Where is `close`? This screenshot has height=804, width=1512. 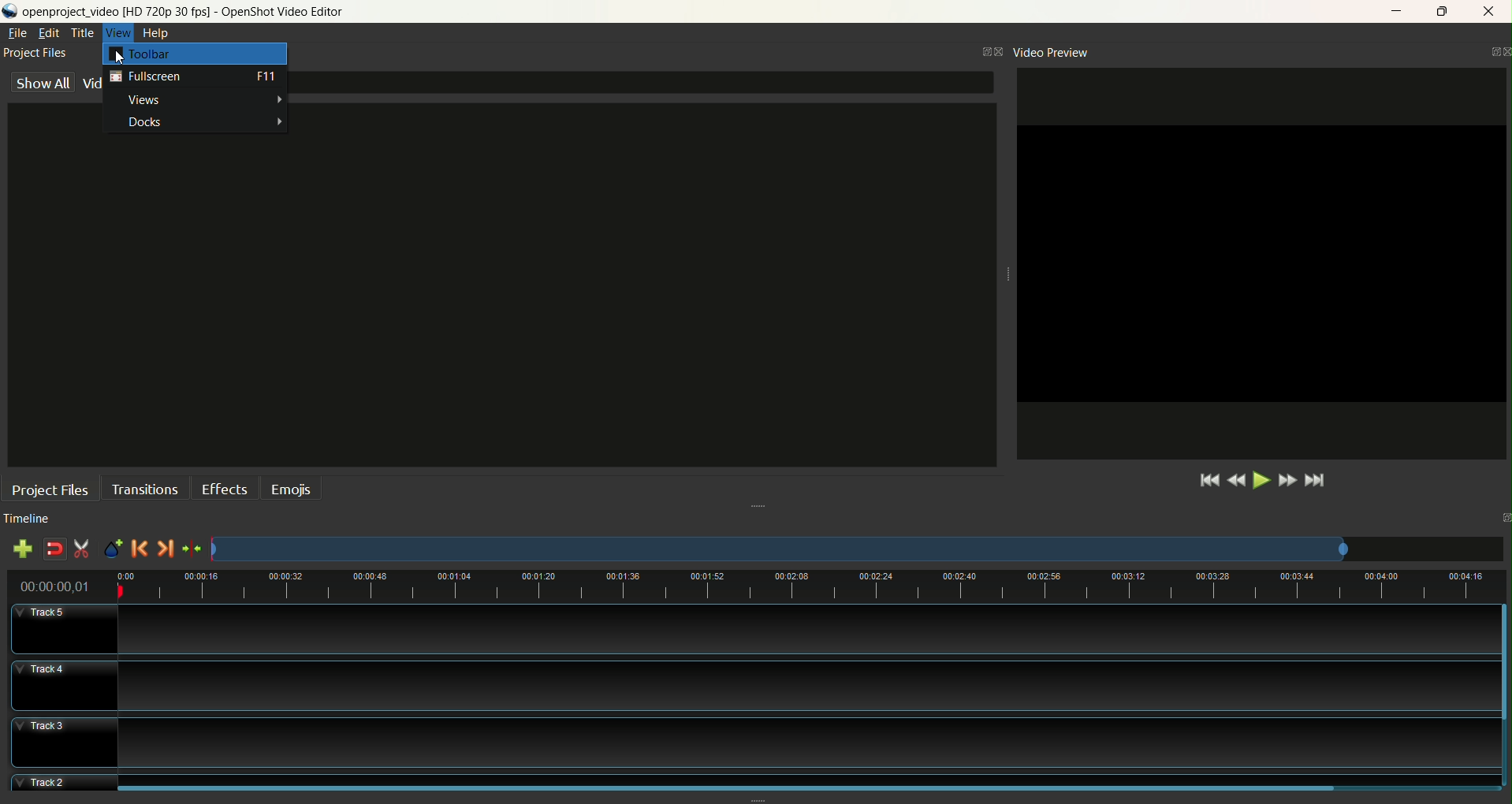 close is located at coordinates (1490, 13).